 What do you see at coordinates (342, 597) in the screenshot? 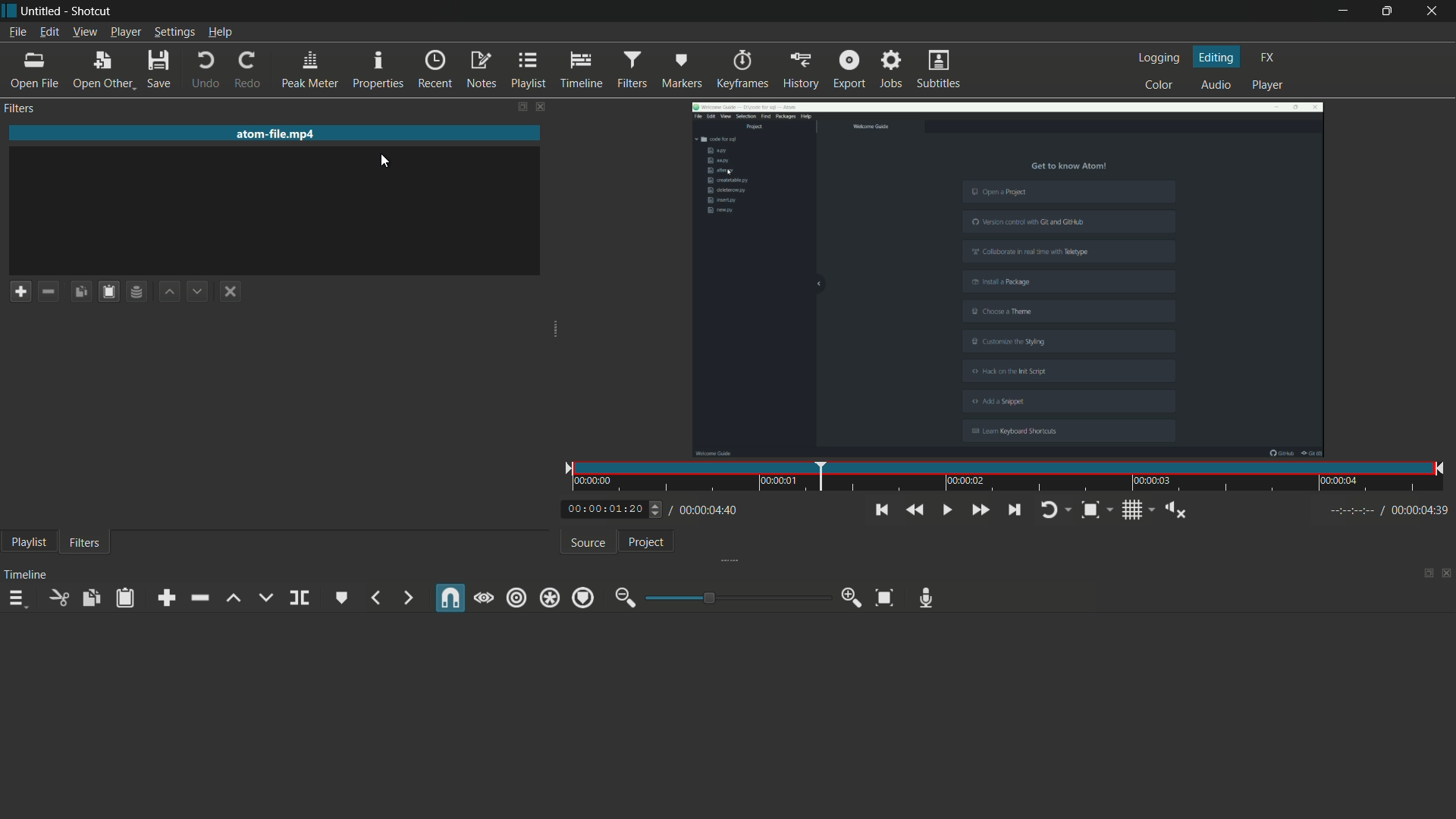
I see `create or edit marker` at bounding box center [342, 597].